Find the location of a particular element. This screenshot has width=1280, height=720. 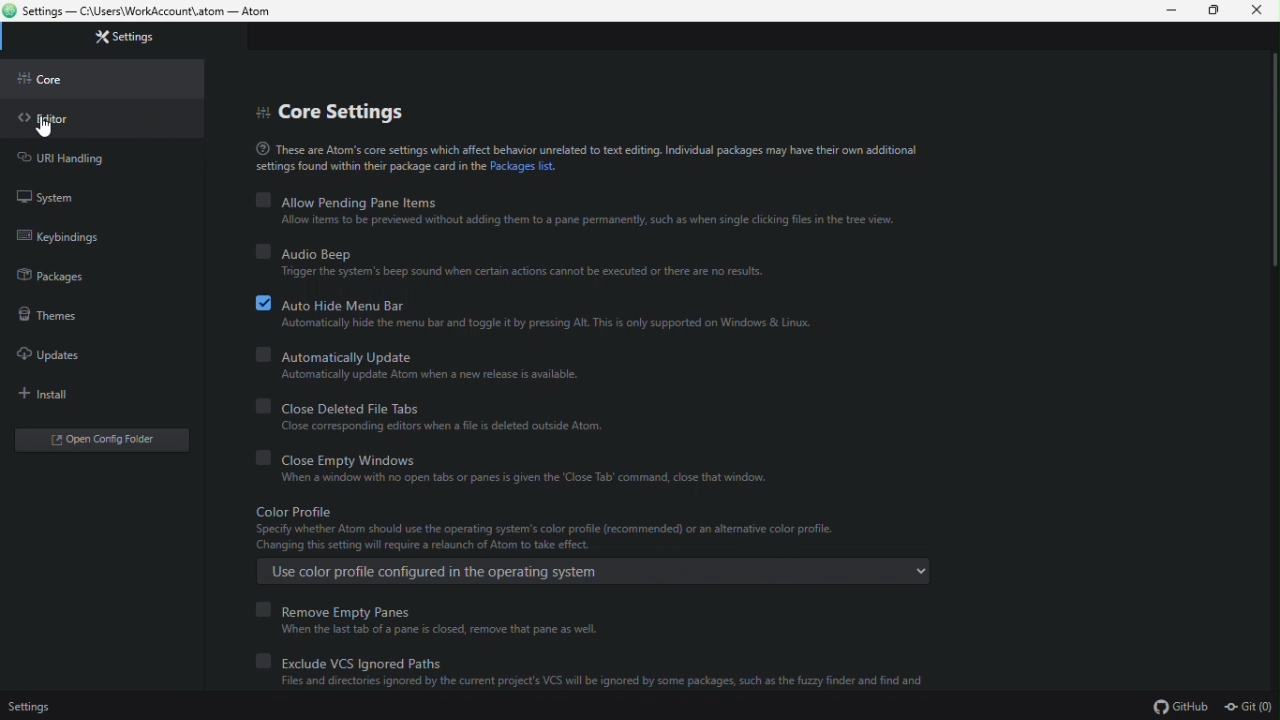

core settings is located at coordinates (345, 111).